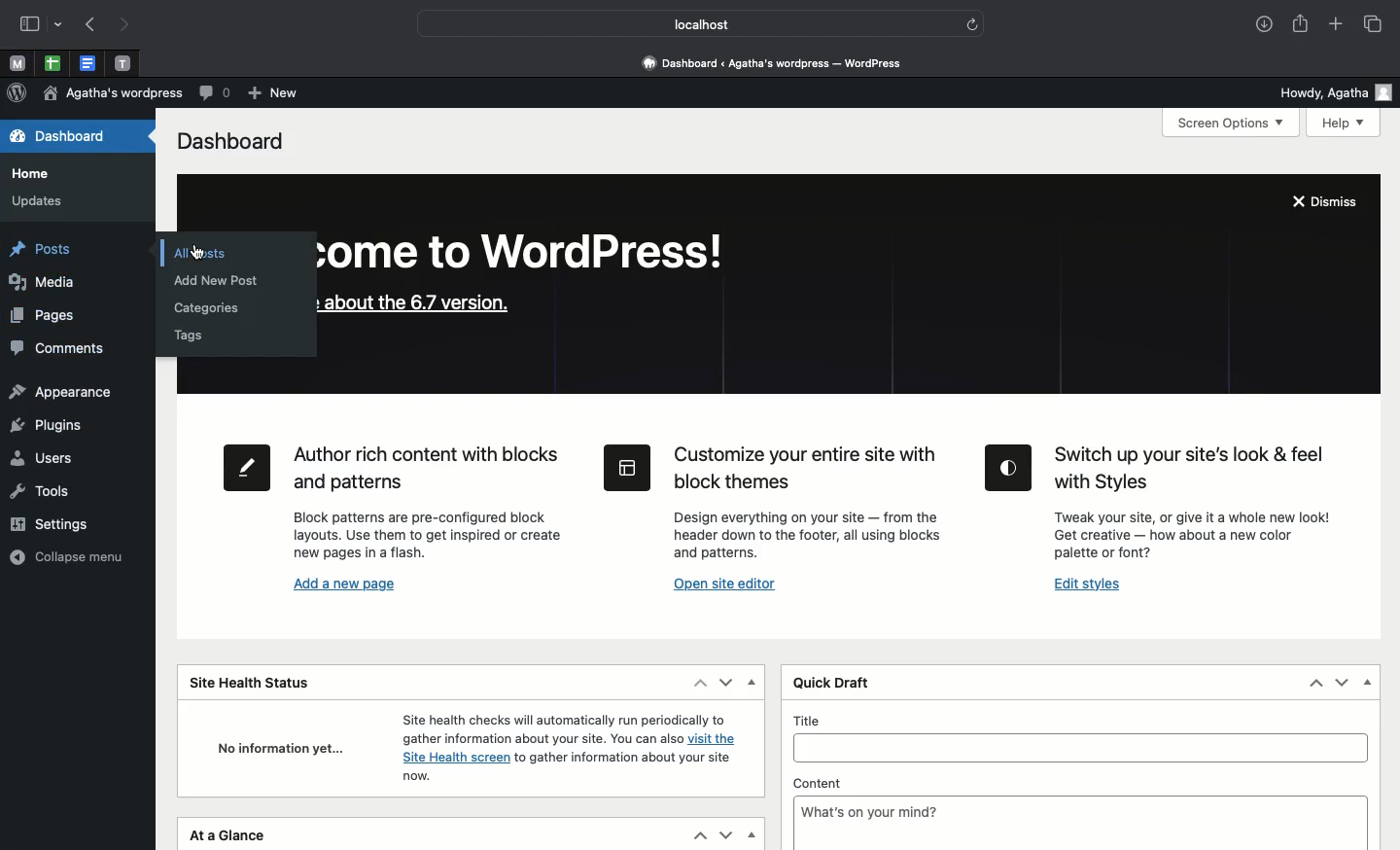 Image resolution: width=1400 pixels, height=850 pixels. I want to click on Title, so click(1081, 720).